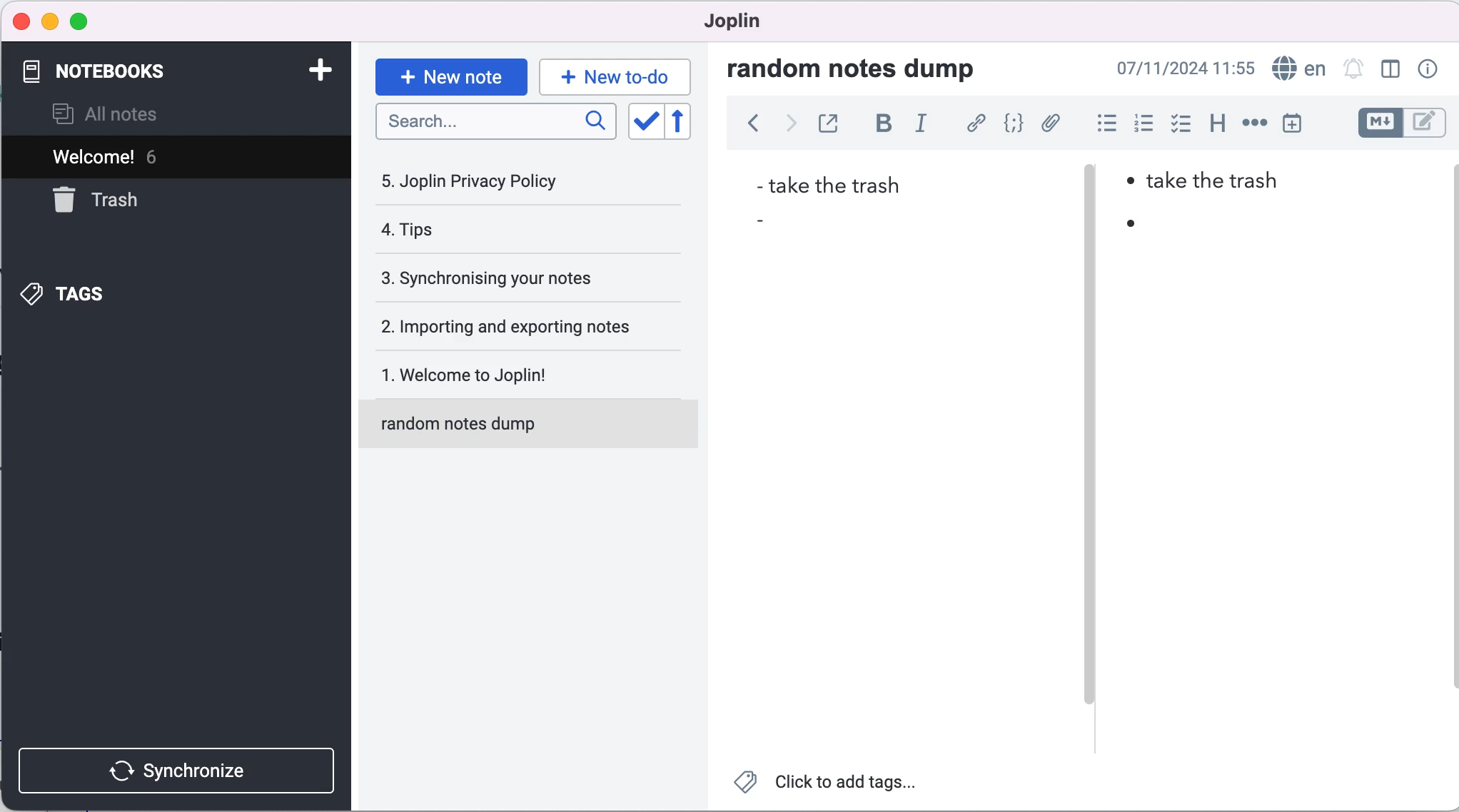  What do you see at coordinates (497, 126) in the screenshot?
I see `search` at bounding box center [497, 126].